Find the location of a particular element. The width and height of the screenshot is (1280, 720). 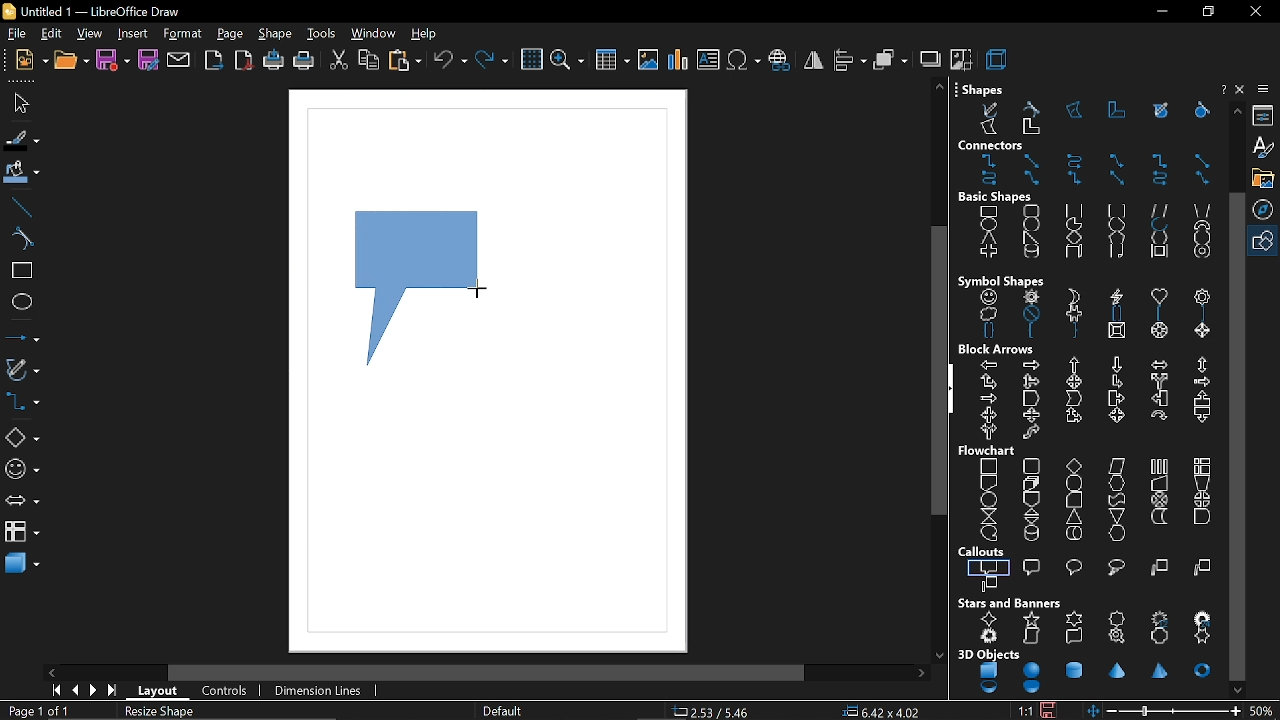

align is located at coordinates (848, 60).